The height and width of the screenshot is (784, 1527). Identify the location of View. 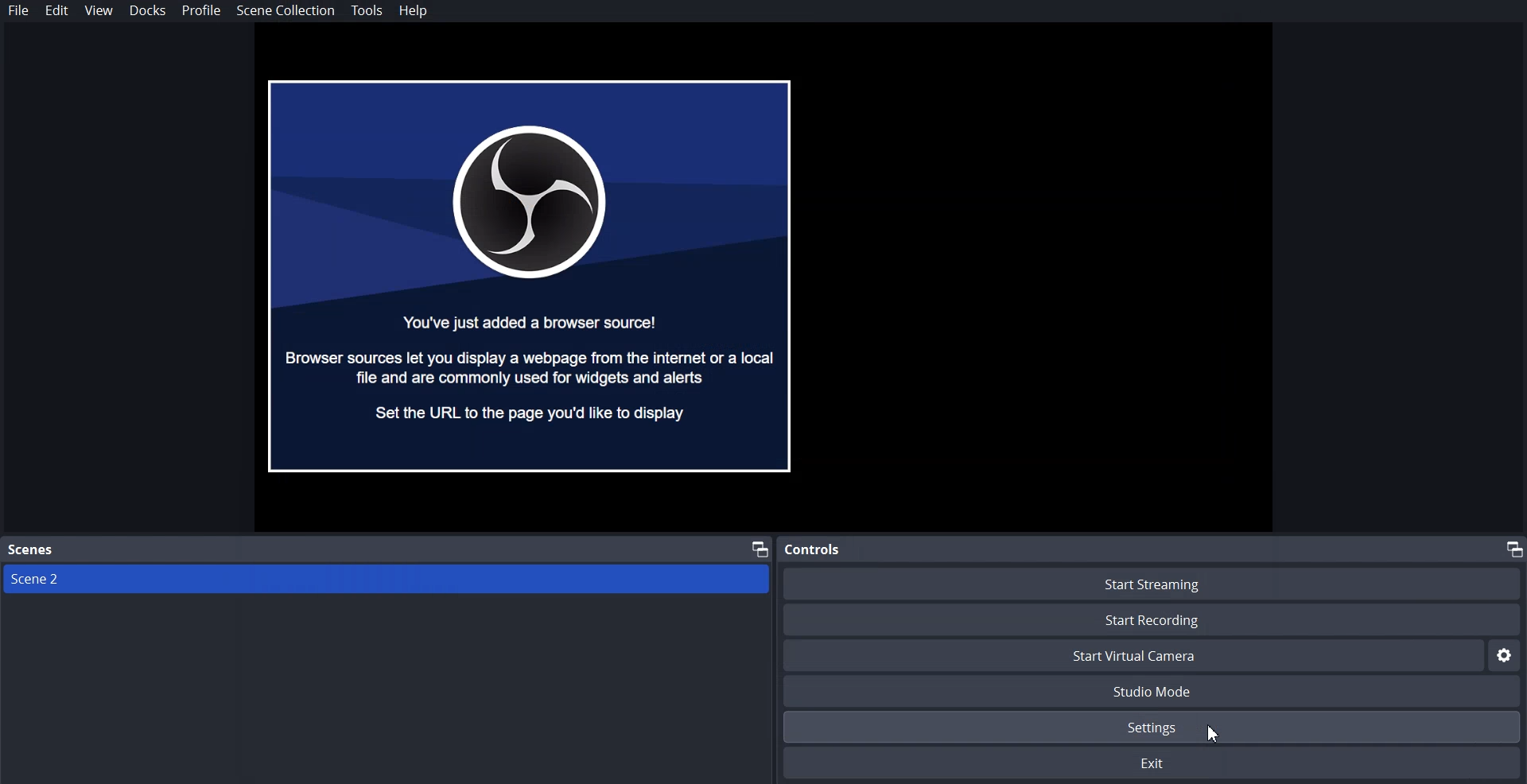
(99, 10).